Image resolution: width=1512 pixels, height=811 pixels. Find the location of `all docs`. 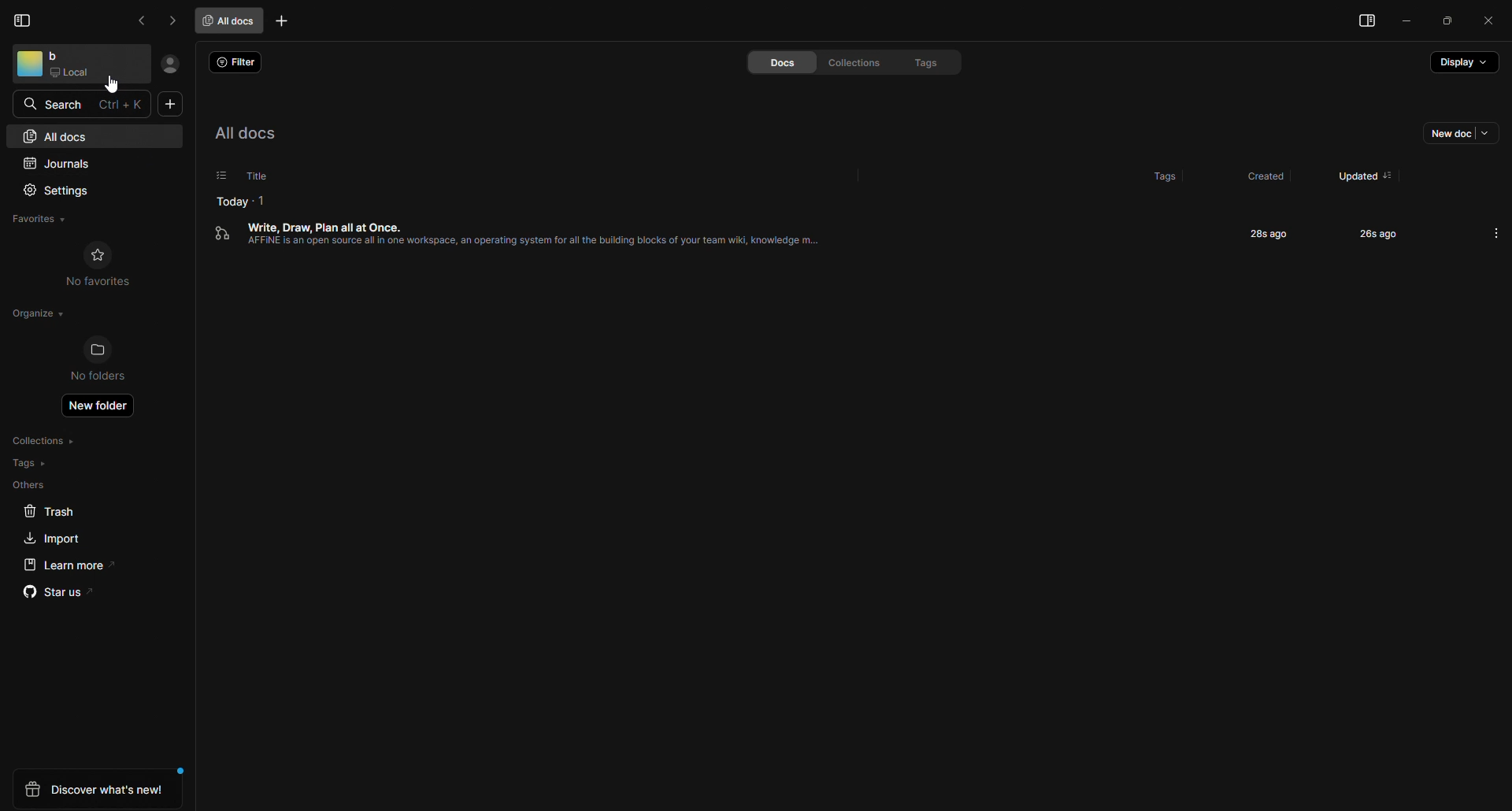

all docs is located at coordinates (232, 20).